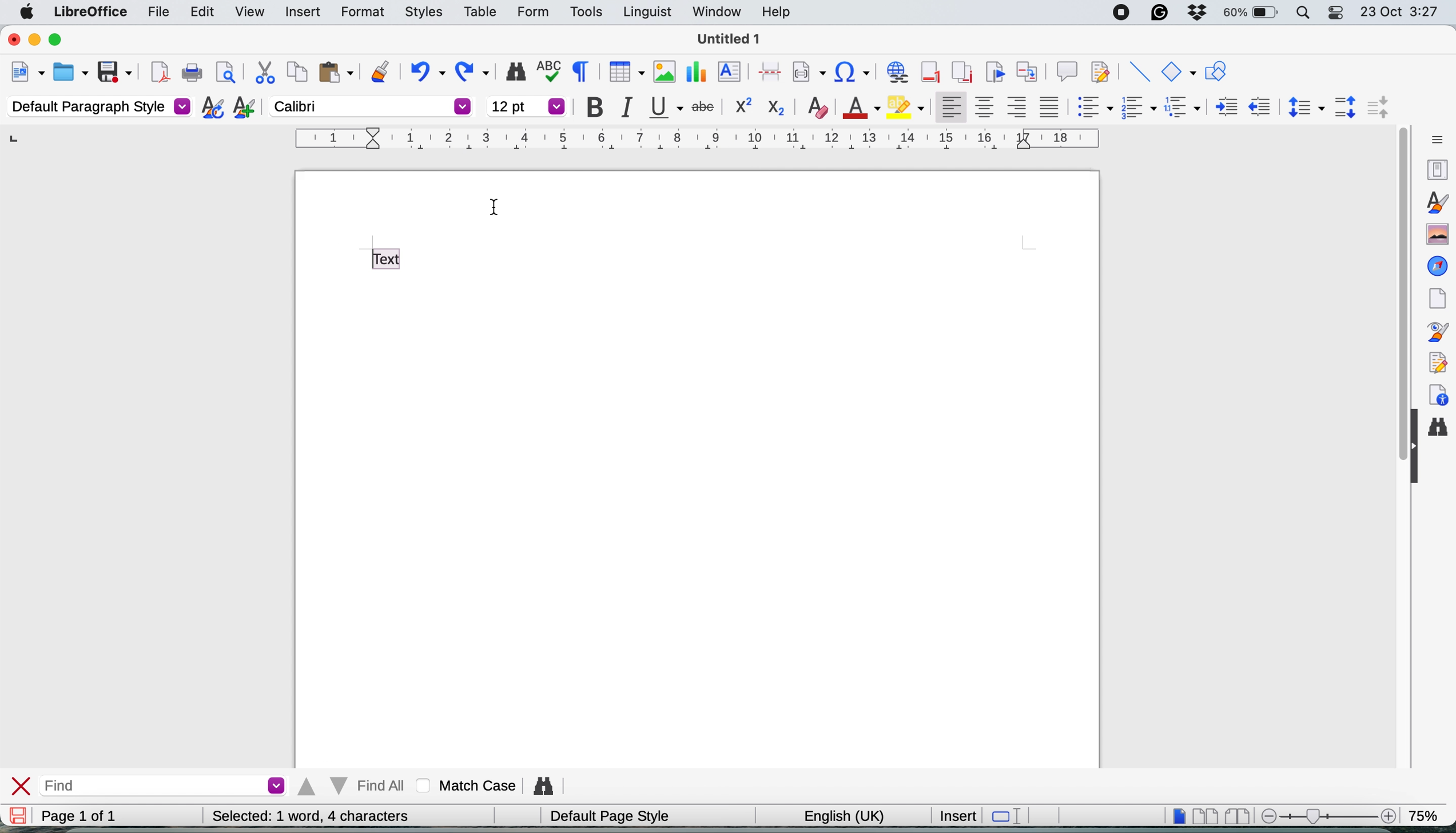 This screenshot has width=1456, height=833. What do you see at coordinates (695, 70) in the screenshot?
I see `insert chart` at bounding box center [695, 70].